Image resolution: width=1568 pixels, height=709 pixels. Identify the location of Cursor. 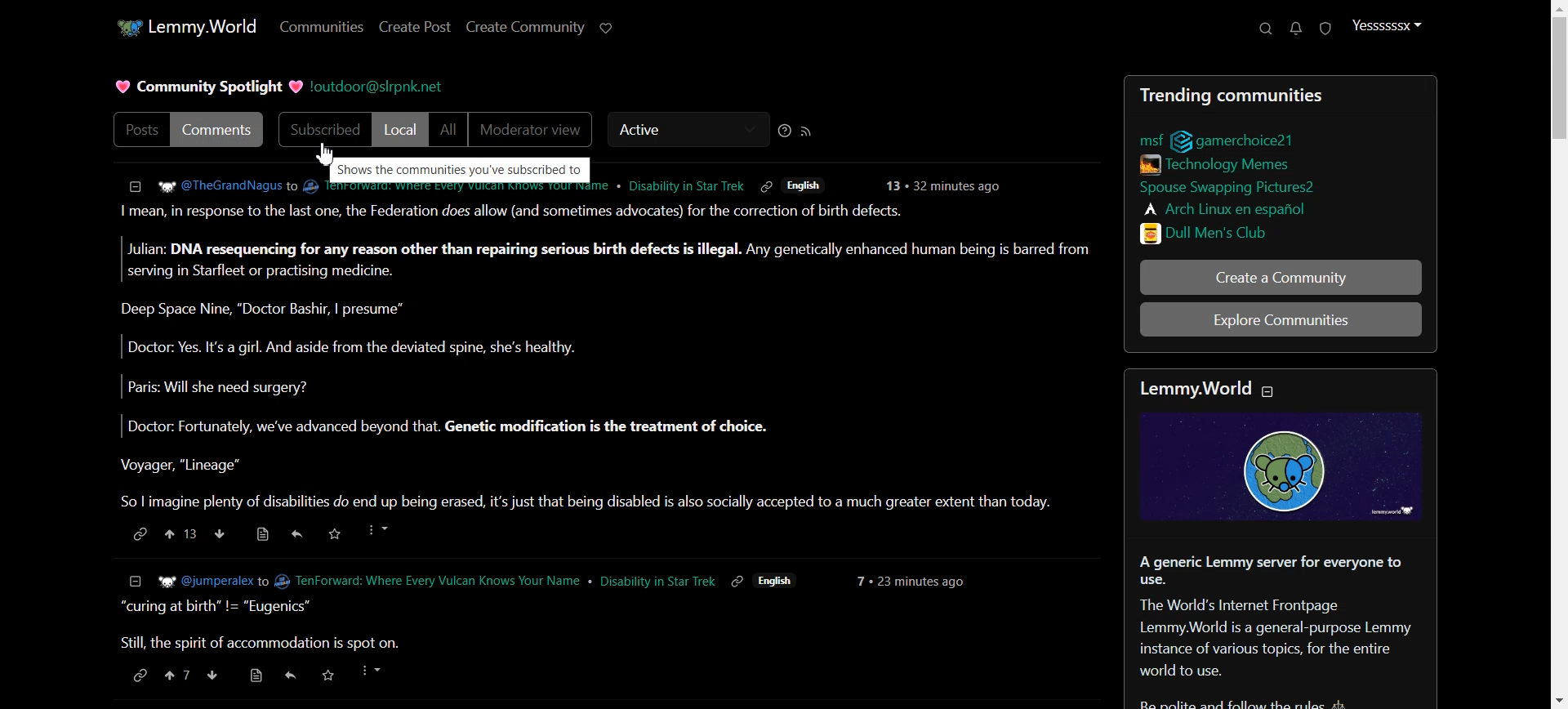
(328, 154).